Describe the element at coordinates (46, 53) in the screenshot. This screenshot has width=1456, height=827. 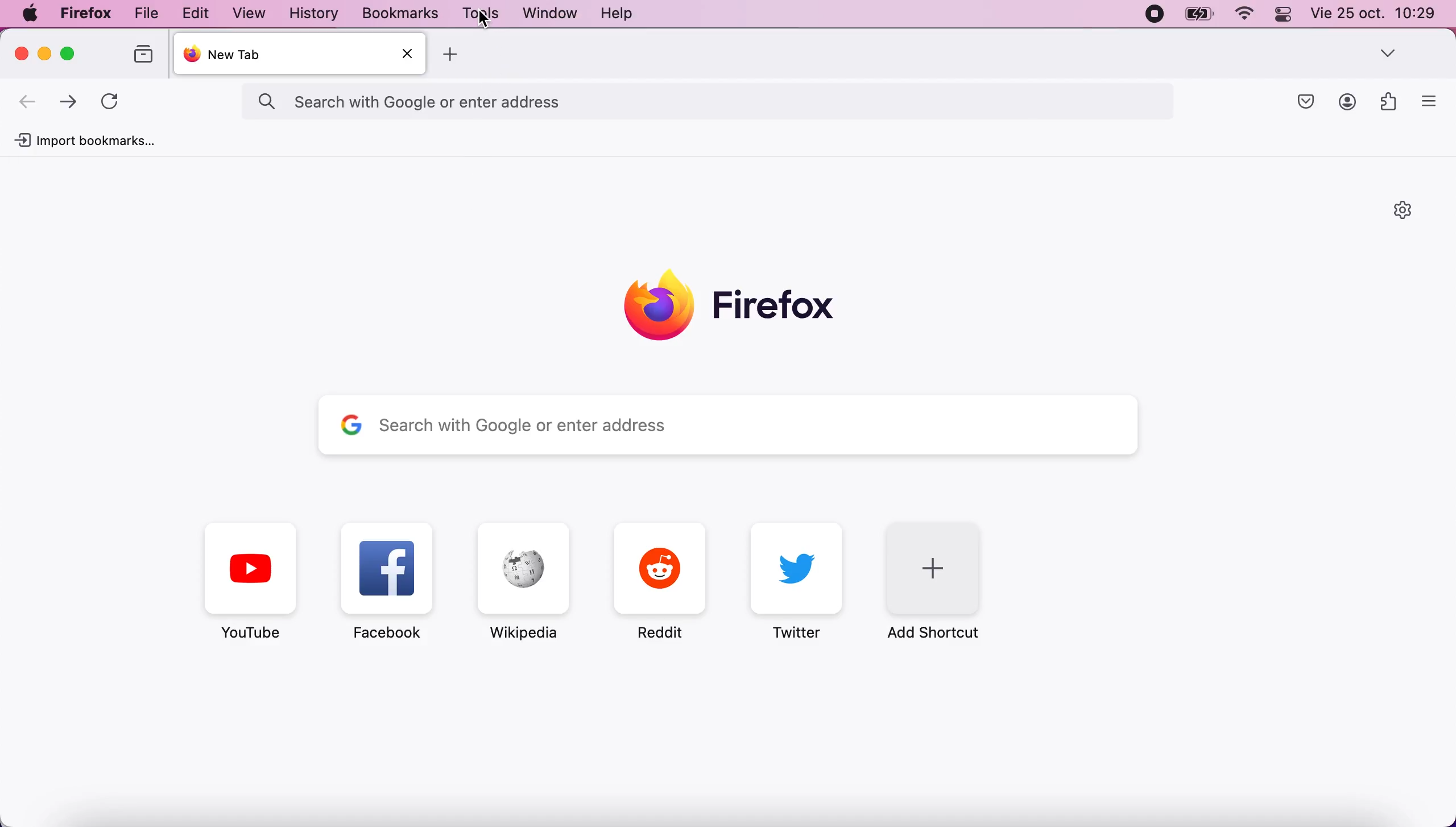
I see `Minimize` at that location.